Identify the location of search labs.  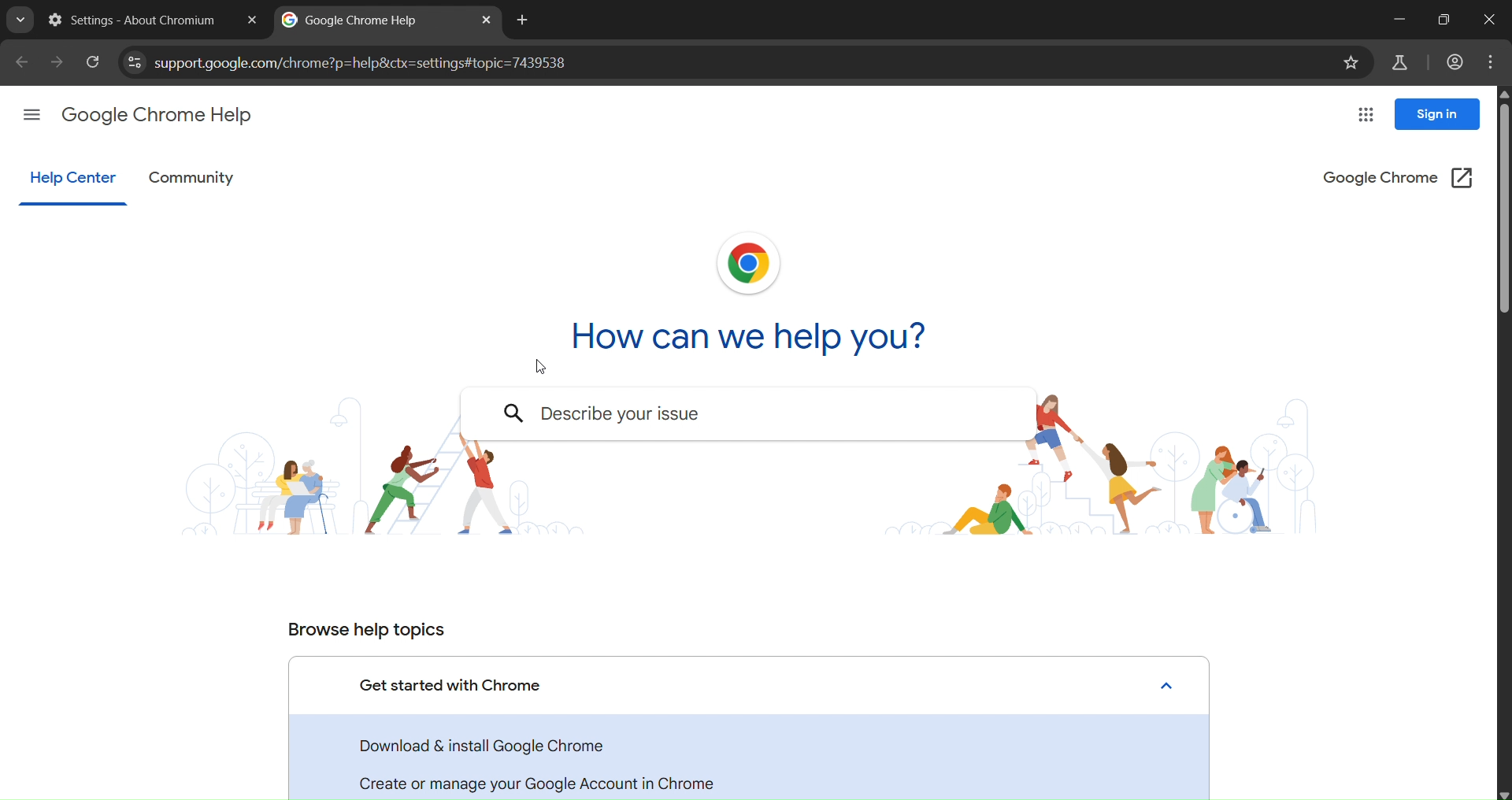
(20, 22).